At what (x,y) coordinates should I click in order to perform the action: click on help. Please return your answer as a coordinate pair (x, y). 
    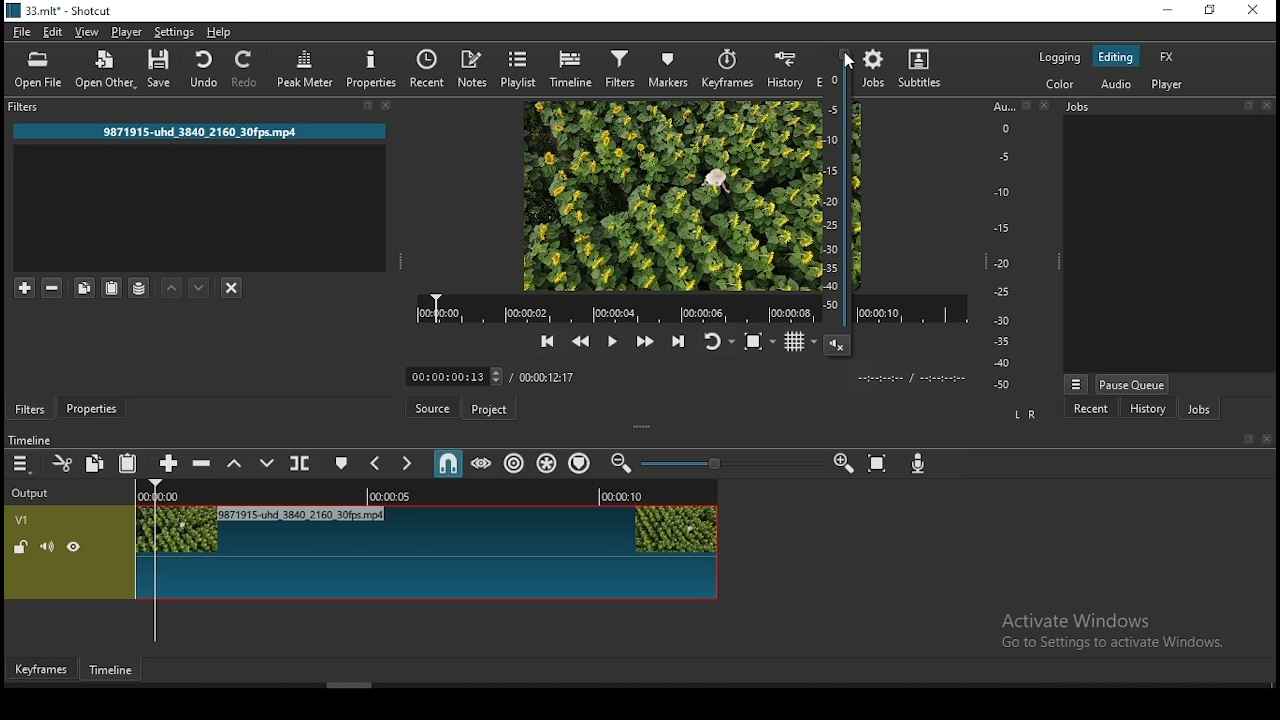
    Looking at the image, I should click on (223, 32).